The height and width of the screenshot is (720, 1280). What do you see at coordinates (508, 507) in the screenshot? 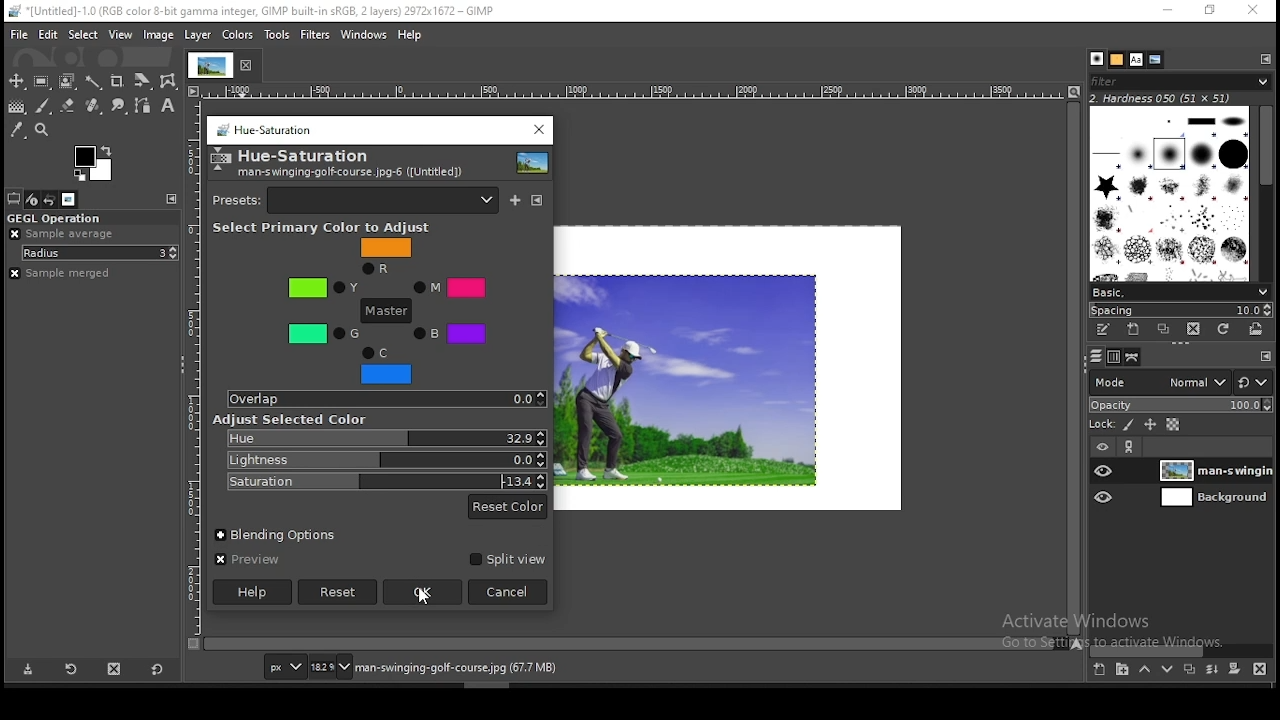
I see `reset color` at bounding box center [508, 507].